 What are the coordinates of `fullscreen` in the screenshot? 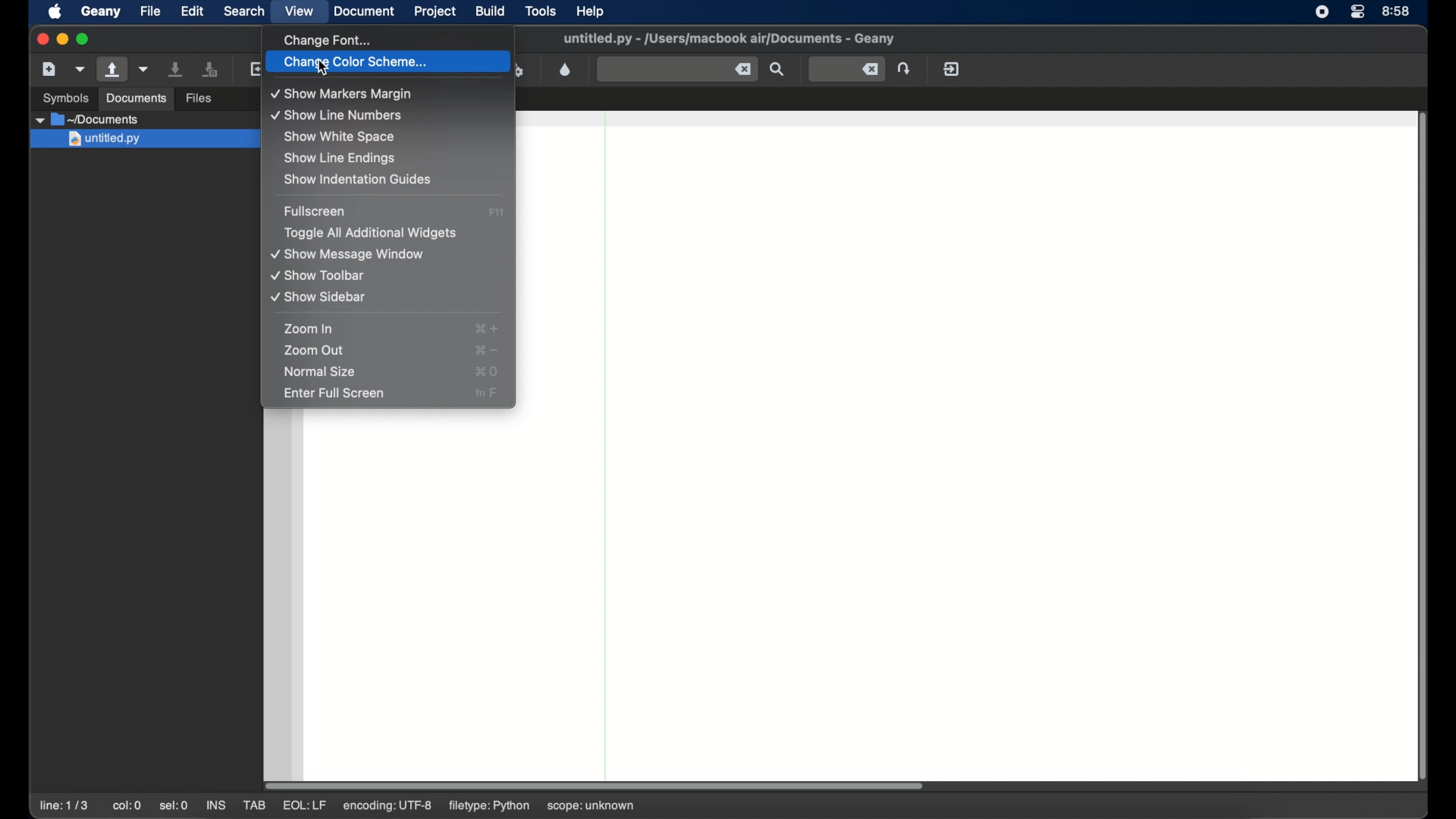 It's located at (314, 212).